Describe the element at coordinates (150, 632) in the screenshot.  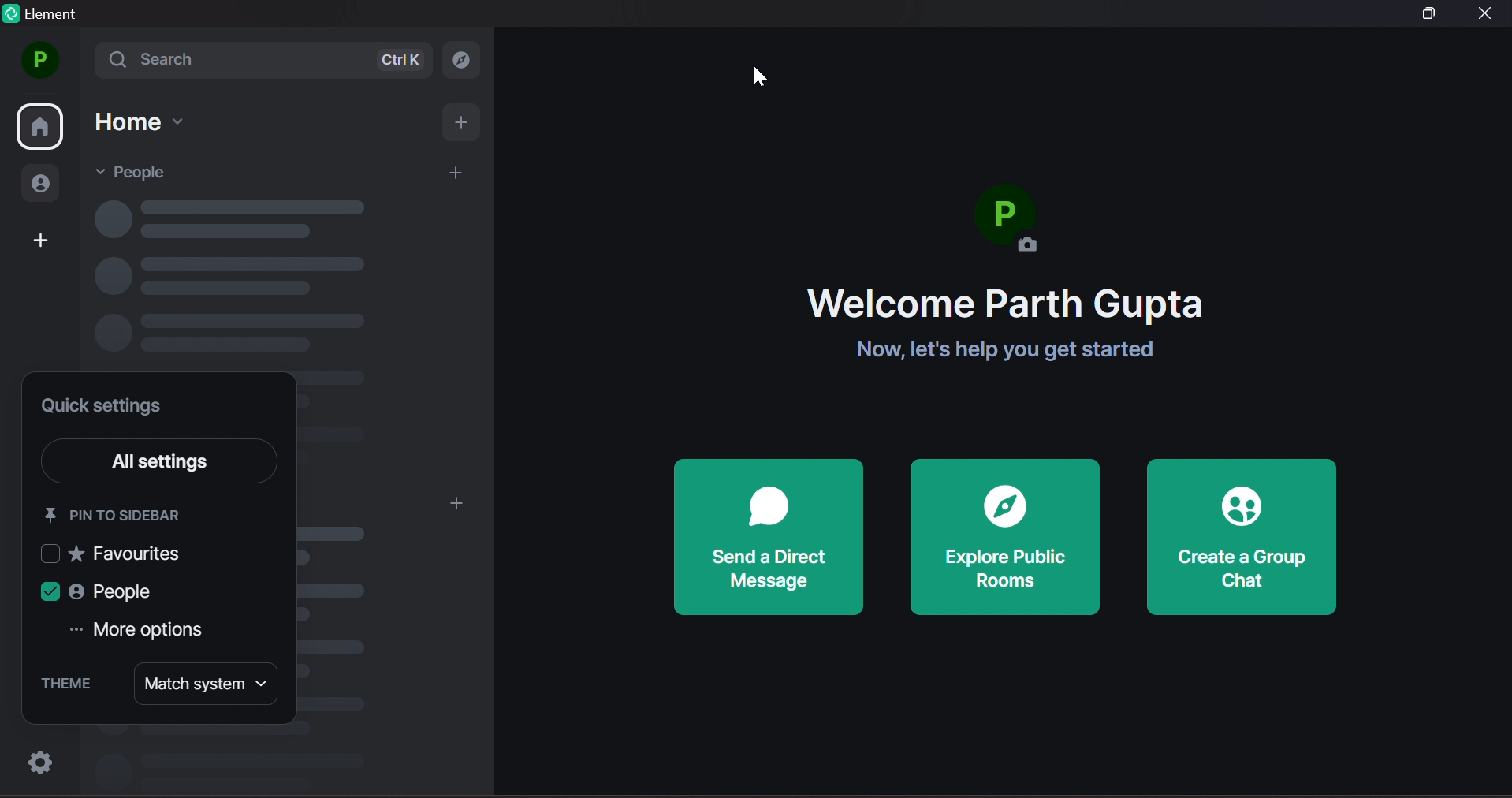
I see `more options` at that location.